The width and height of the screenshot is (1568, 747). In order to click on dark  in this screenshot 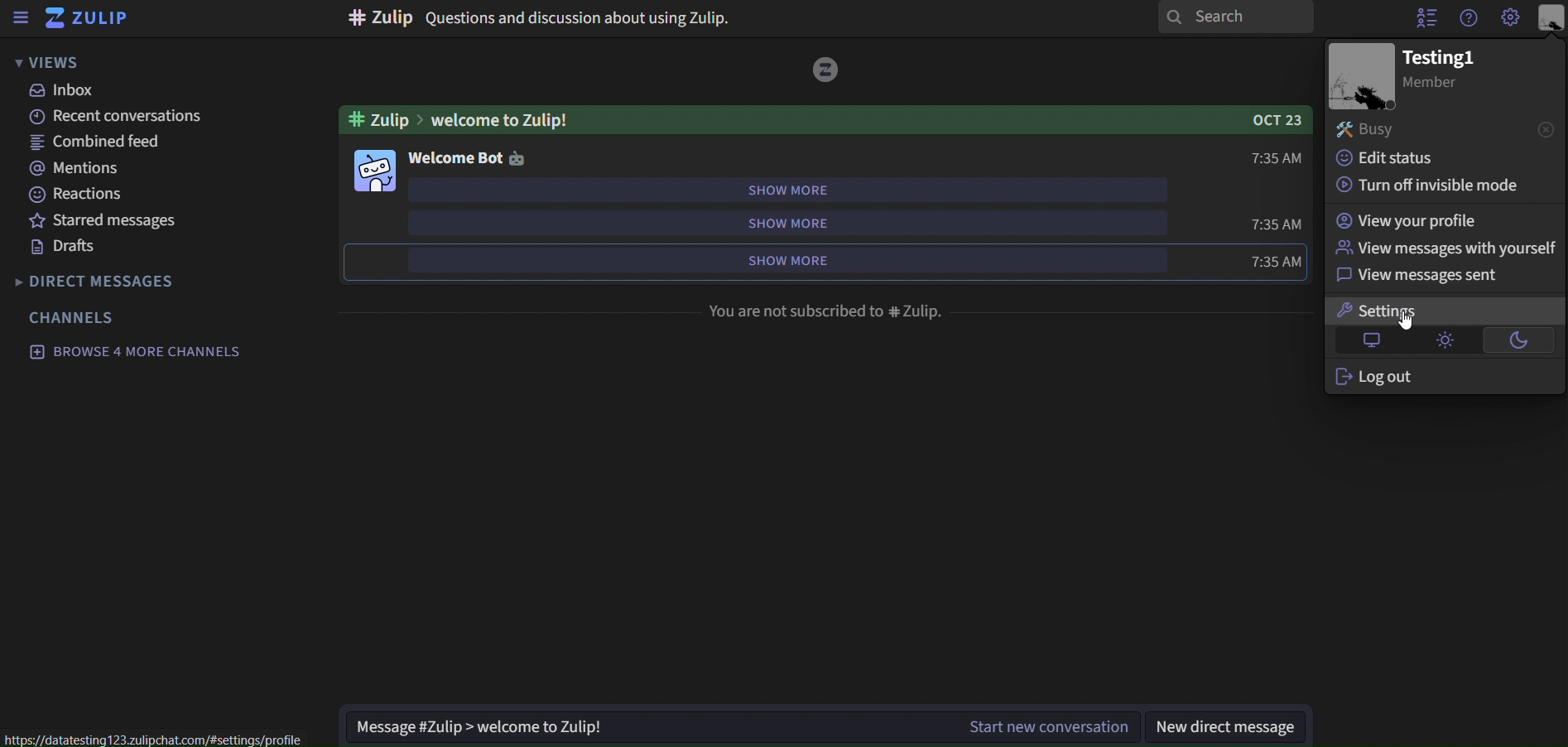, I will do `click(1521, 340)`.